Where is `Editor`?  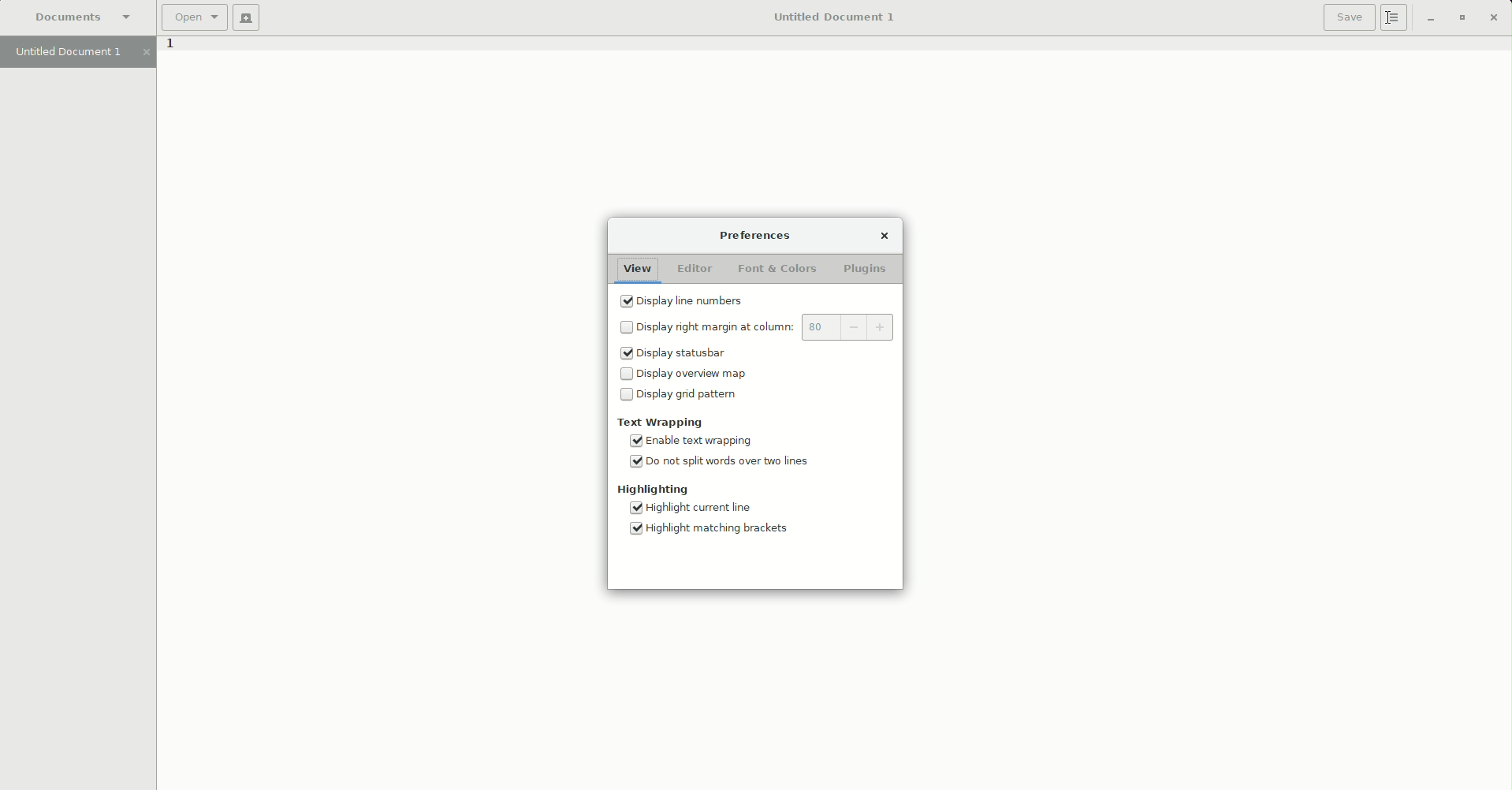
Editor is located at coordinates (694, 269).